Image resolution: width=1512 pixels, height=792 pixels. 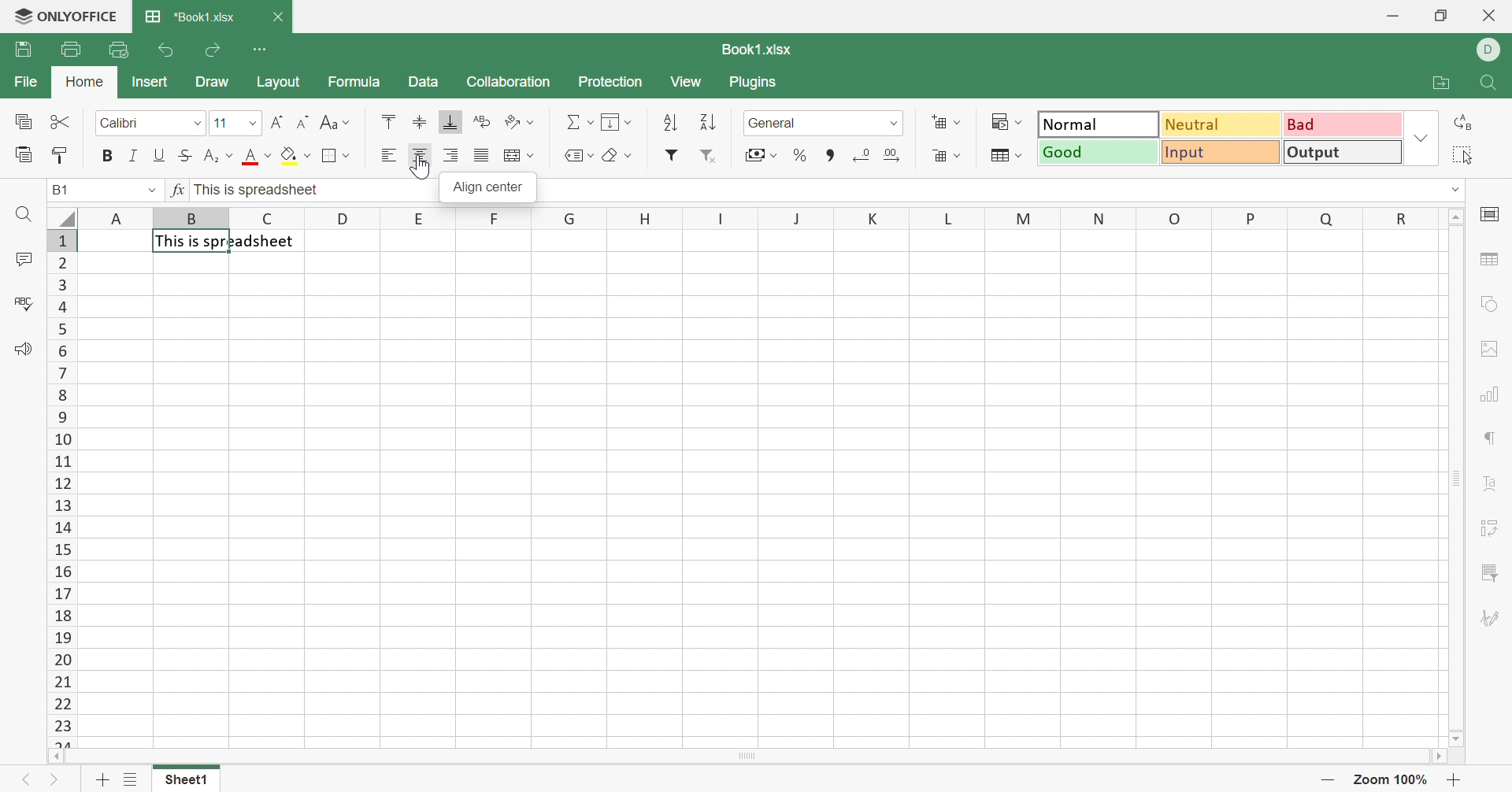 What do you see at coordinates (22, 121) in the screenshot?
I see `Copy` at bounding box center [22, 121].